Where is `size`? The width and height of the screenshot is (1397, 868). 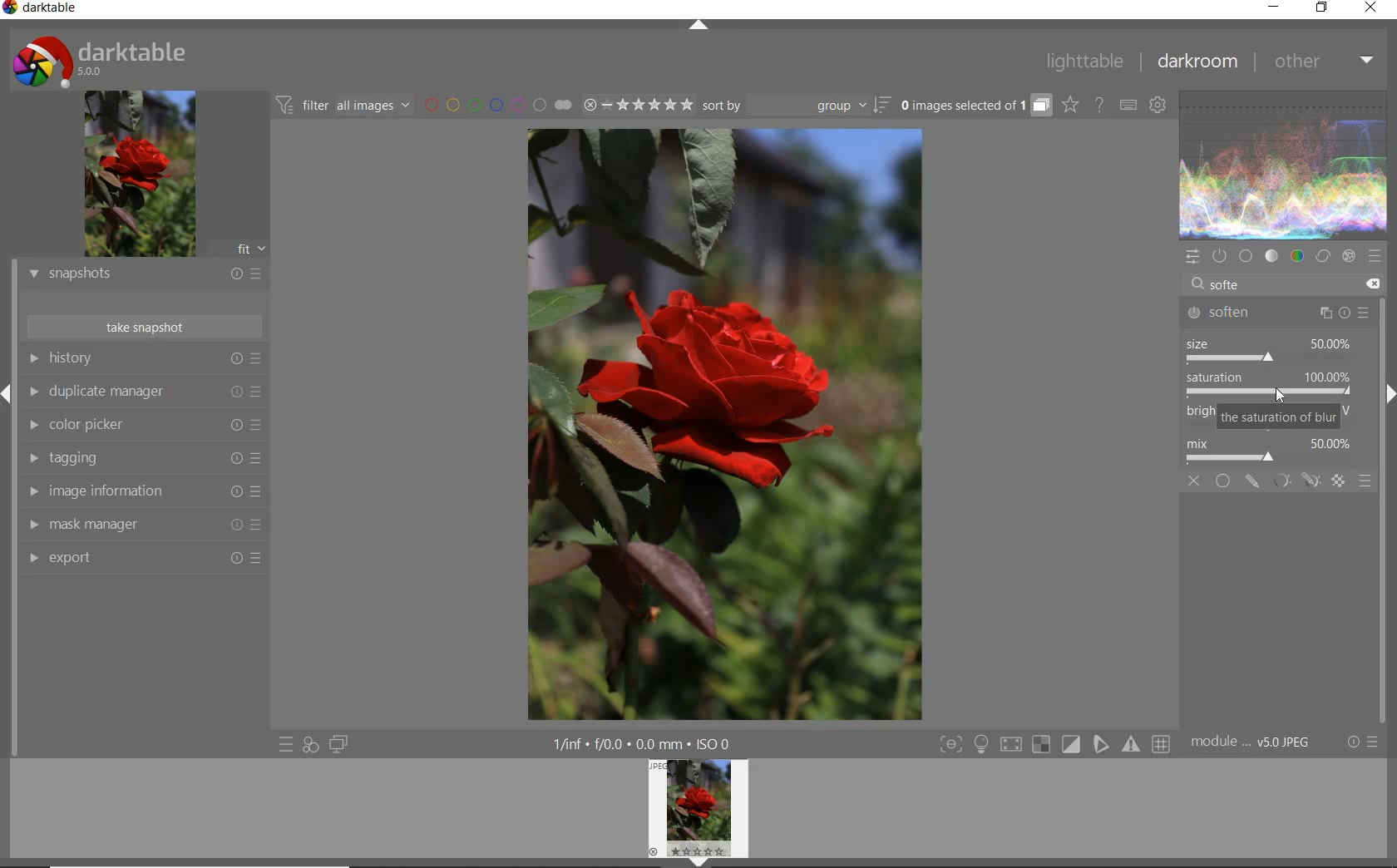
size is located at coordinates (1270, 350).